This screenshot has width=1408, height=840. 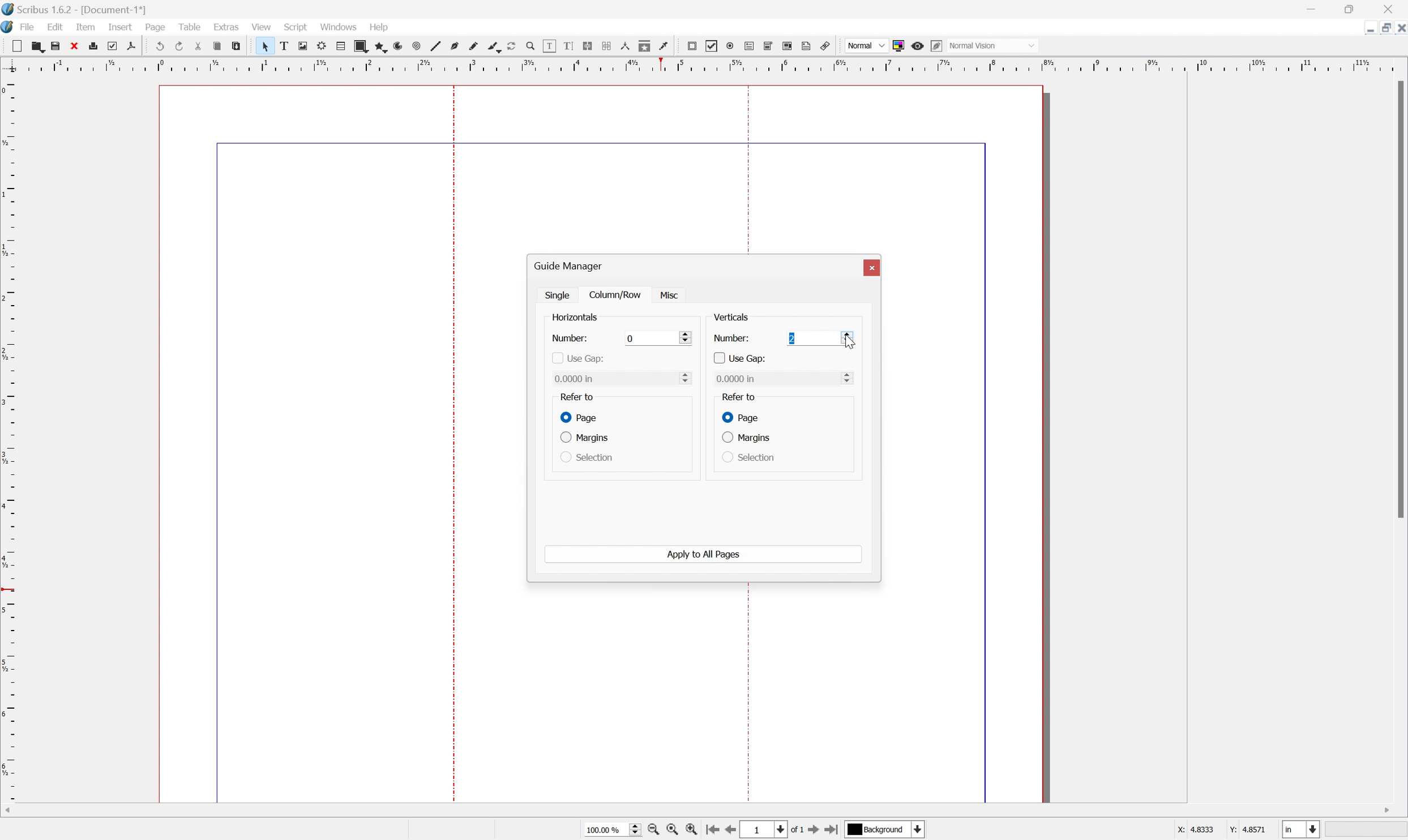 I want to click on normal vision, so click(x=992, y=45).